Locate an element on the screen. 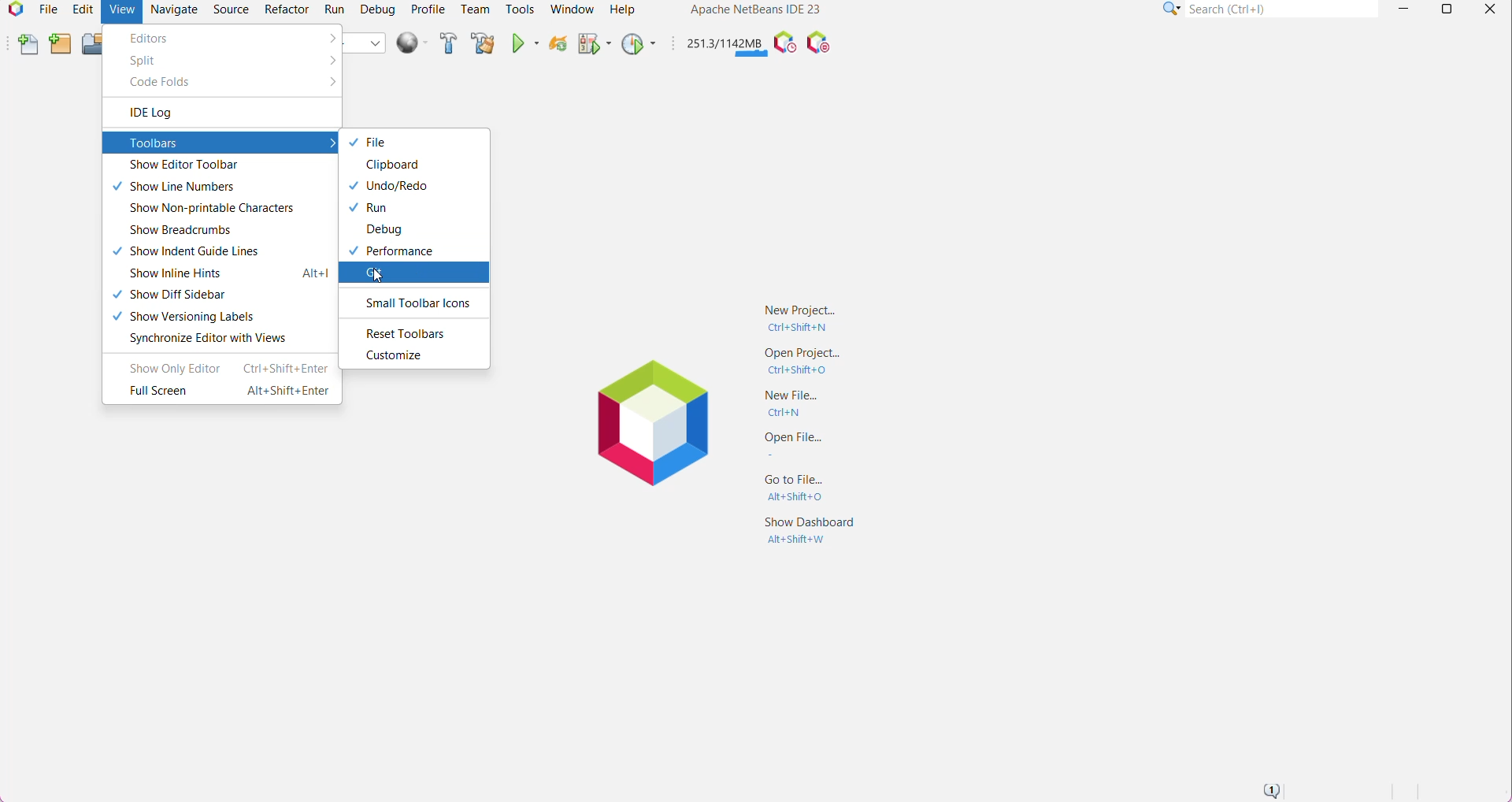 The width and height of the screenshot is (1512, 802). Small Toolbar Icons is located at coordinates (417, 304).